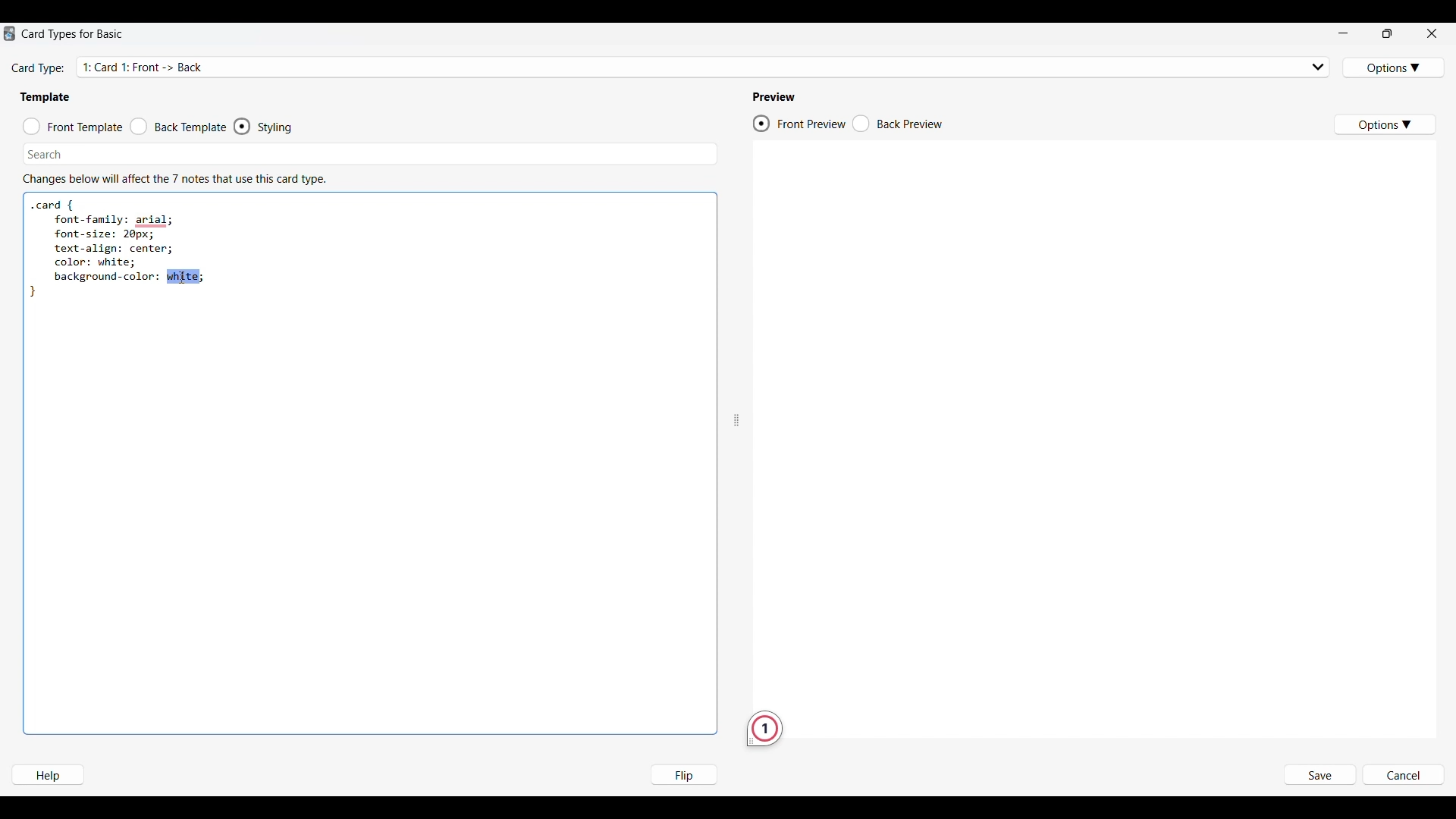 The image size is (1456, 819). I want to click on Preview back of card, so click(898, 124).